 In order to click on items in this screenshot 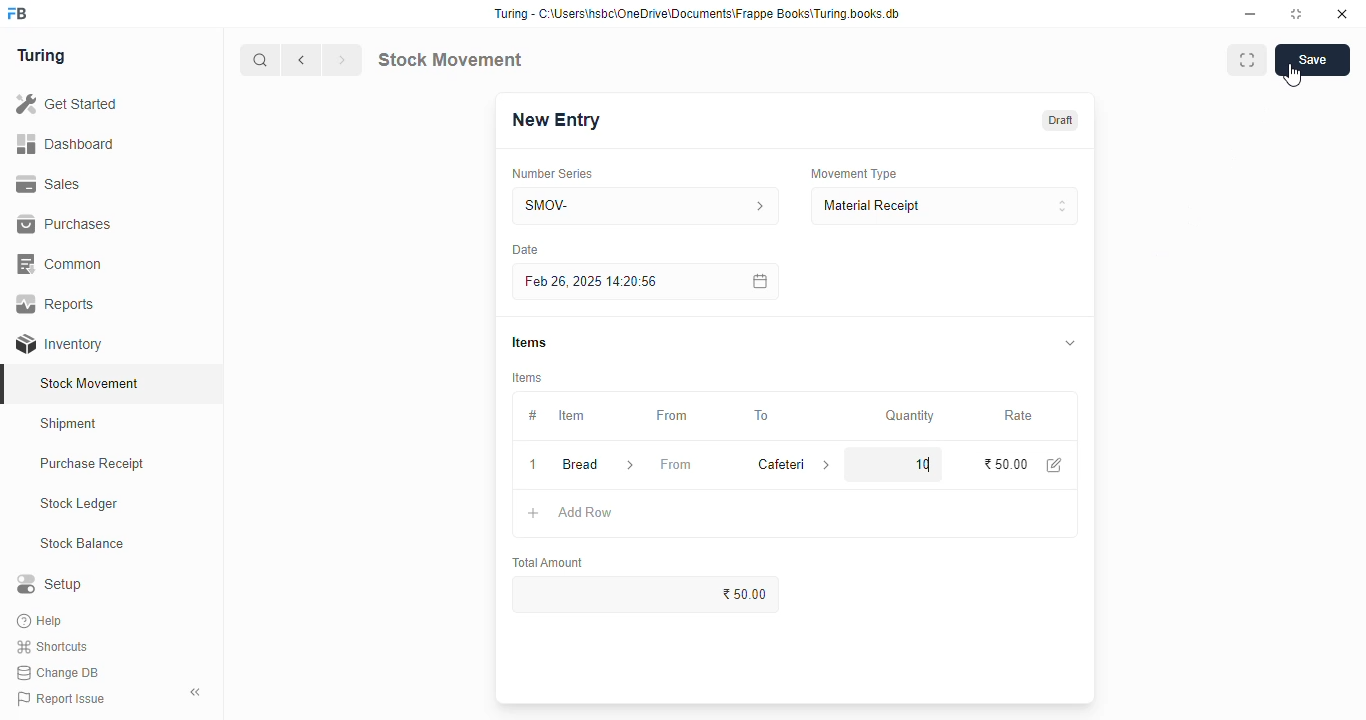, I will do `click(528, 378)`.